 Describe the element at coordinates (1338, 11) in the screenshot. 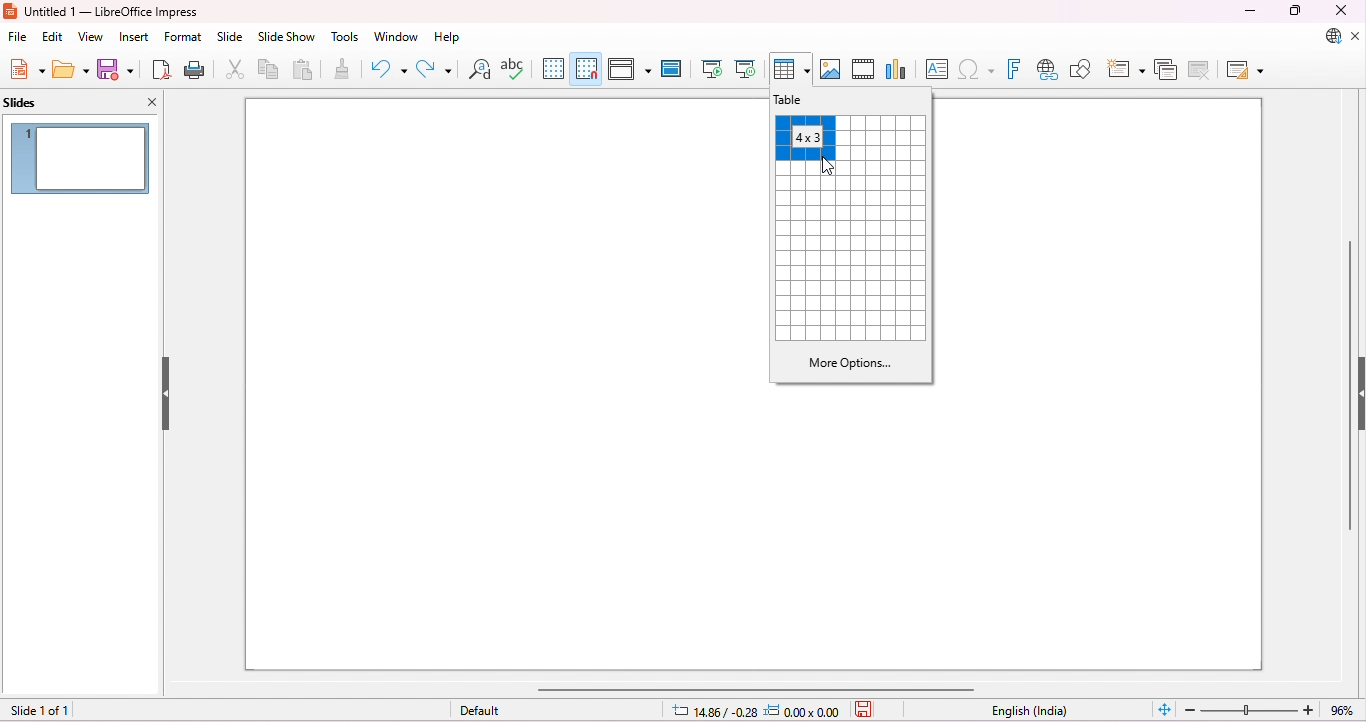

I see `close` at that location.